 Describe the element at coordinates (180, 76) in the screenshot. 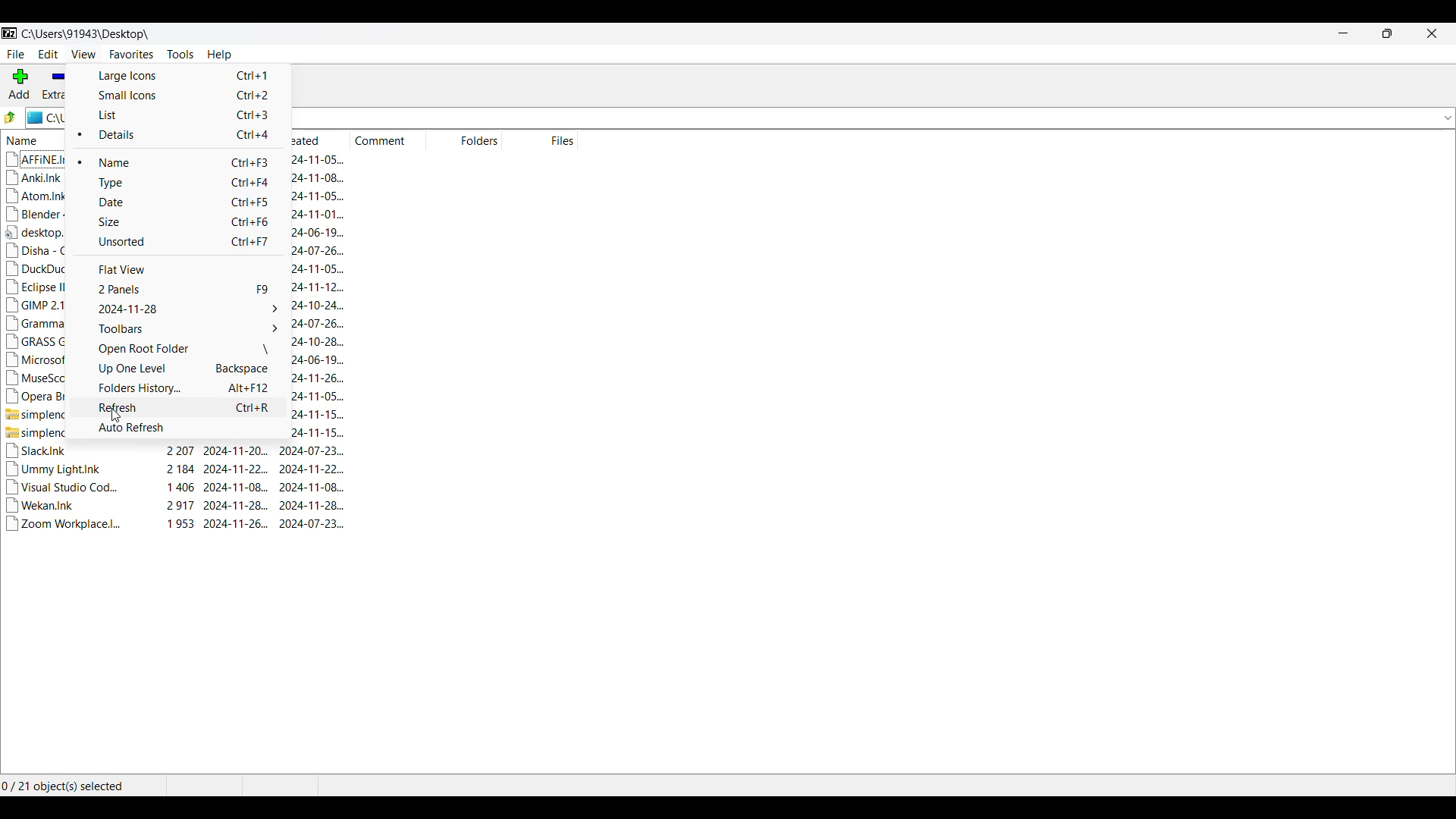

I see `Large icons` at that location.